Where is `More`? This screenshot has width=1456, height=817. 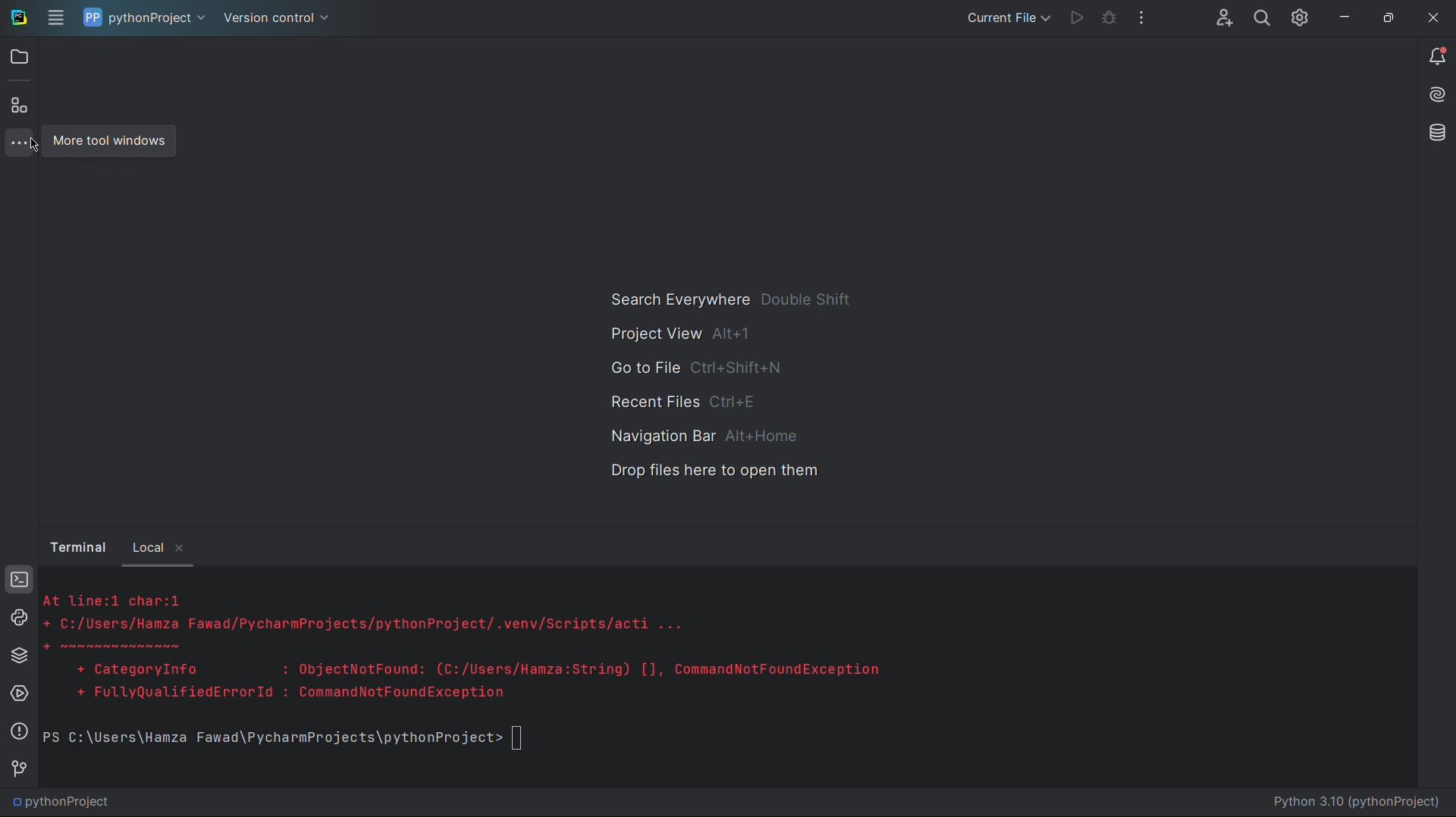 More is located at coordinates (1141, 15).